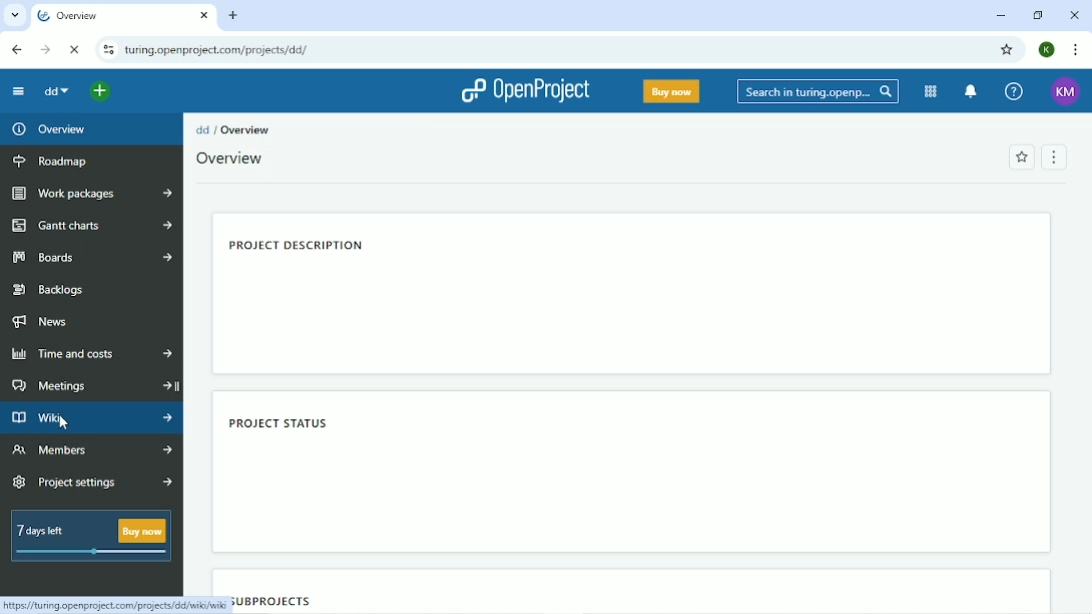  I want to click on Subprojects, so click(270, 599).